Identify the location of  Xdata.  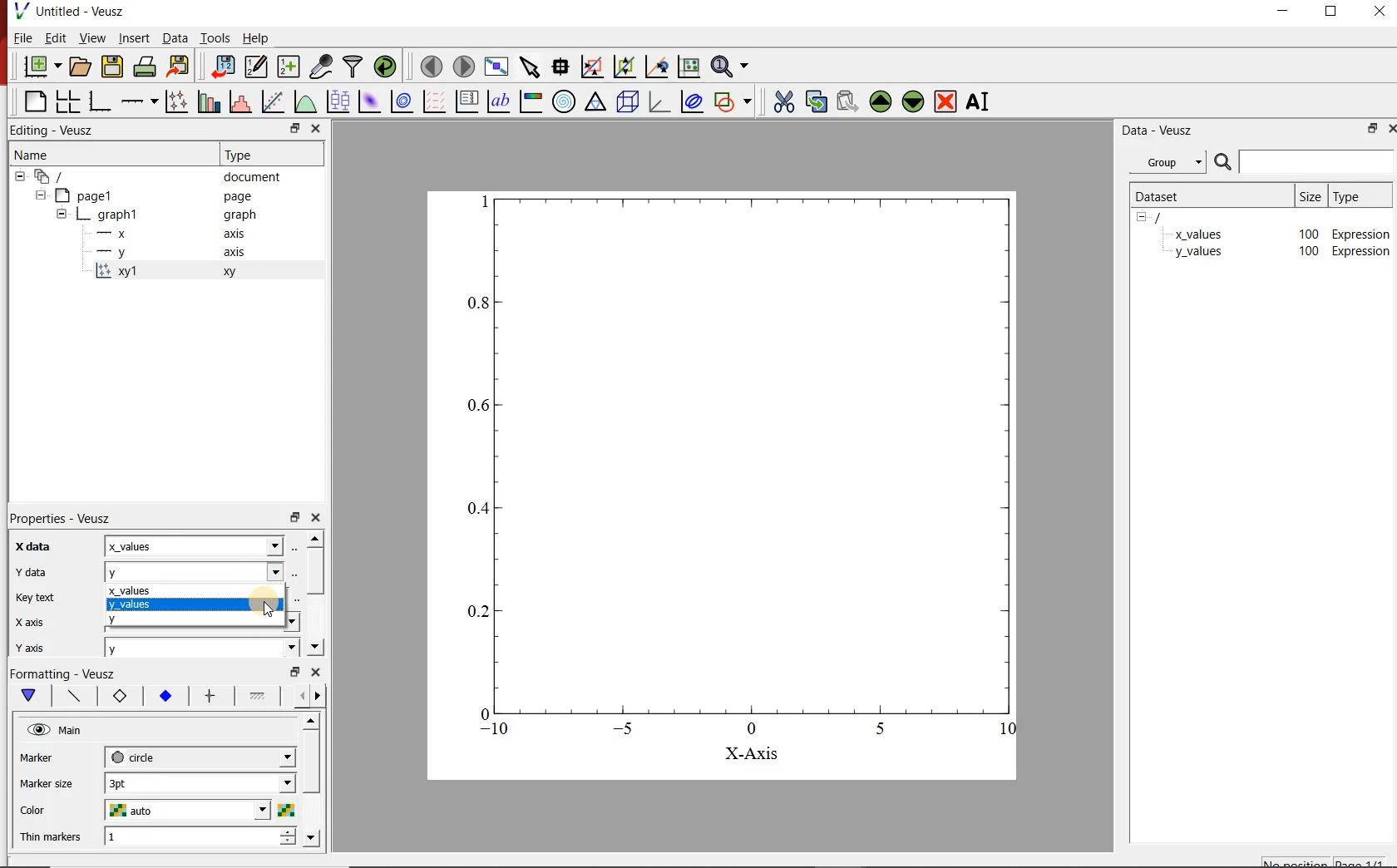
(37, 549).